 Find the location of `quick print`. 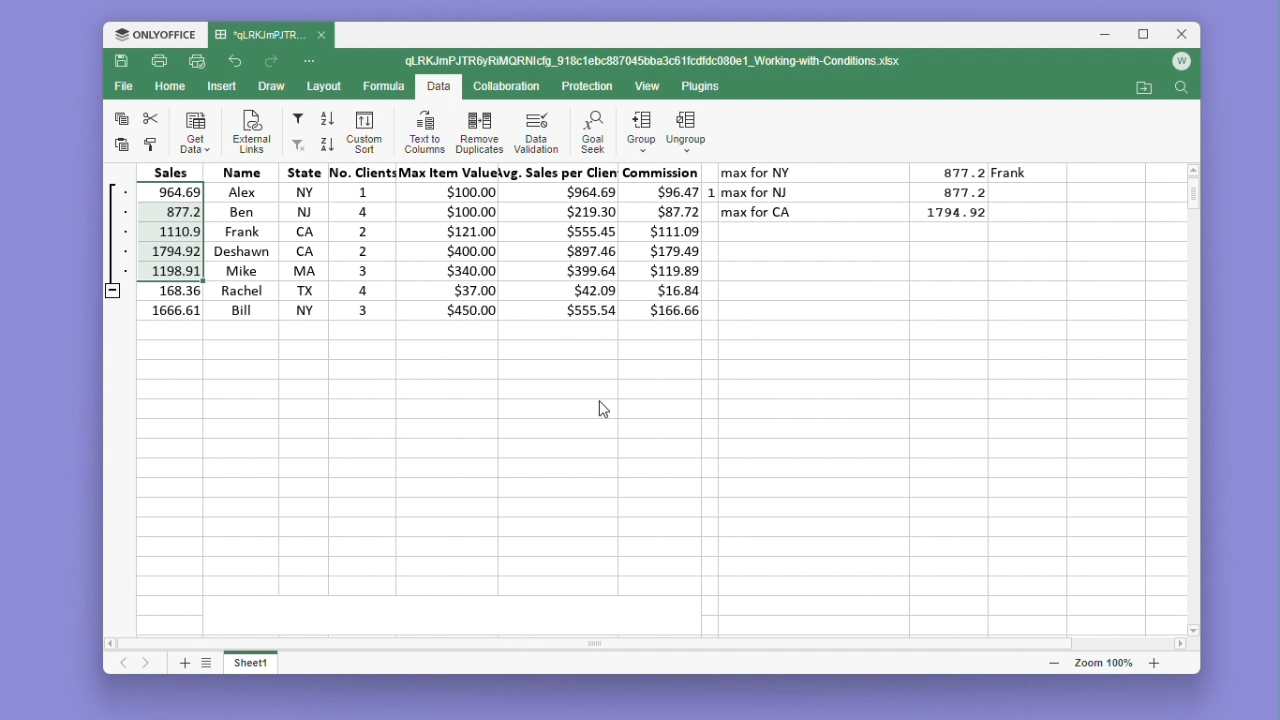

quick print is located at coordinates (198, 62).